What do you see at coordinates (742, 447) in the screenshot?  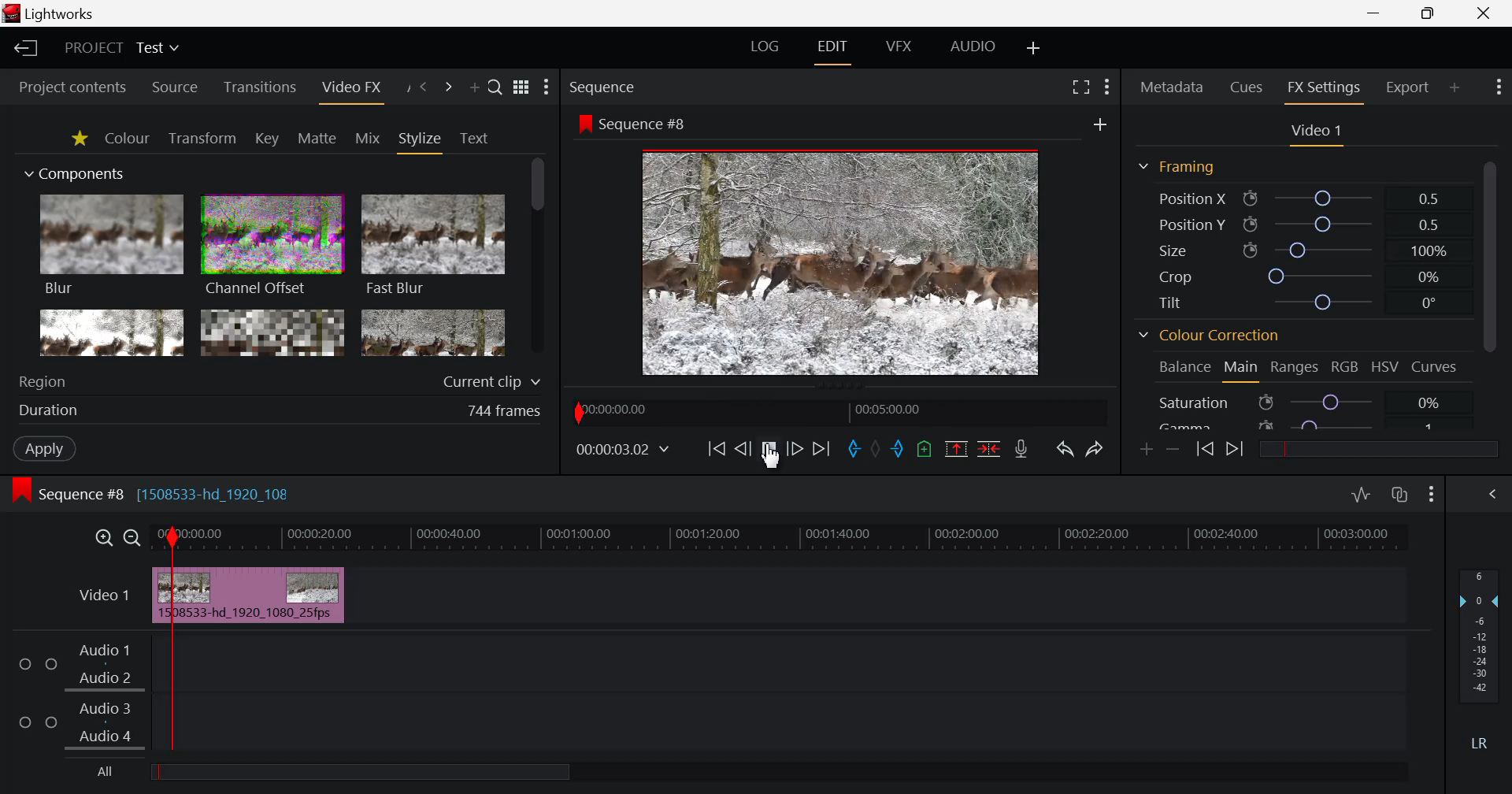 I see `Go Back` at bounding box center [742, 447].